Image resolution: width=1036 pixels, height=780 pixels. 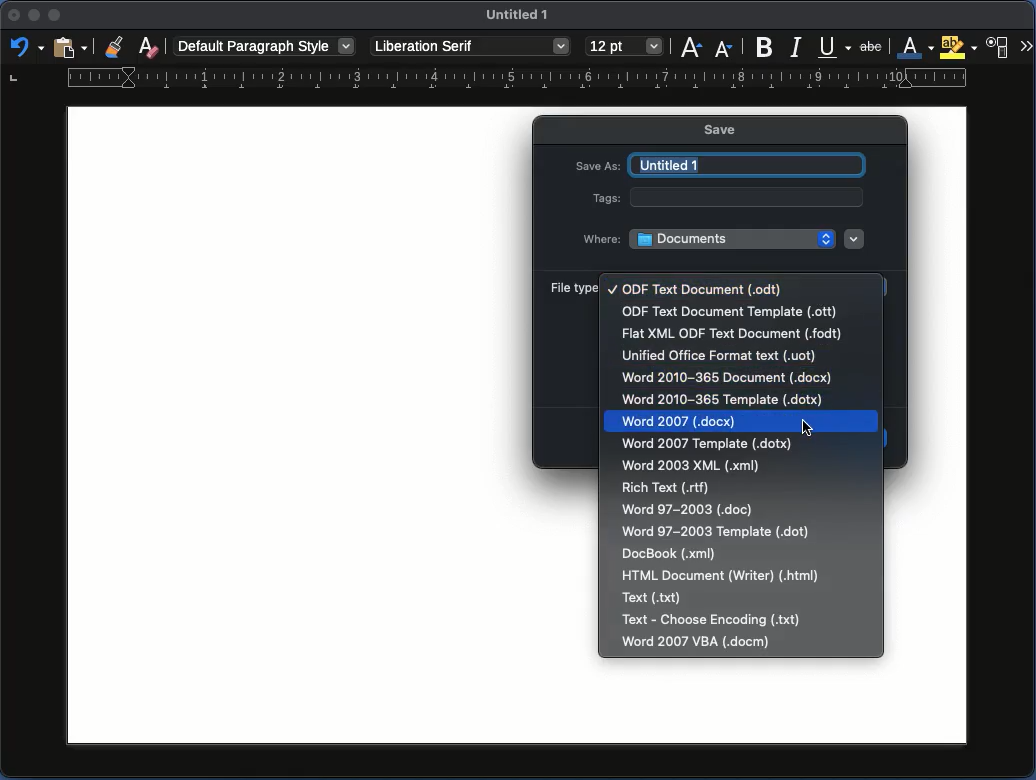 I want to click on Clipboard, so click(x=70, y=46).